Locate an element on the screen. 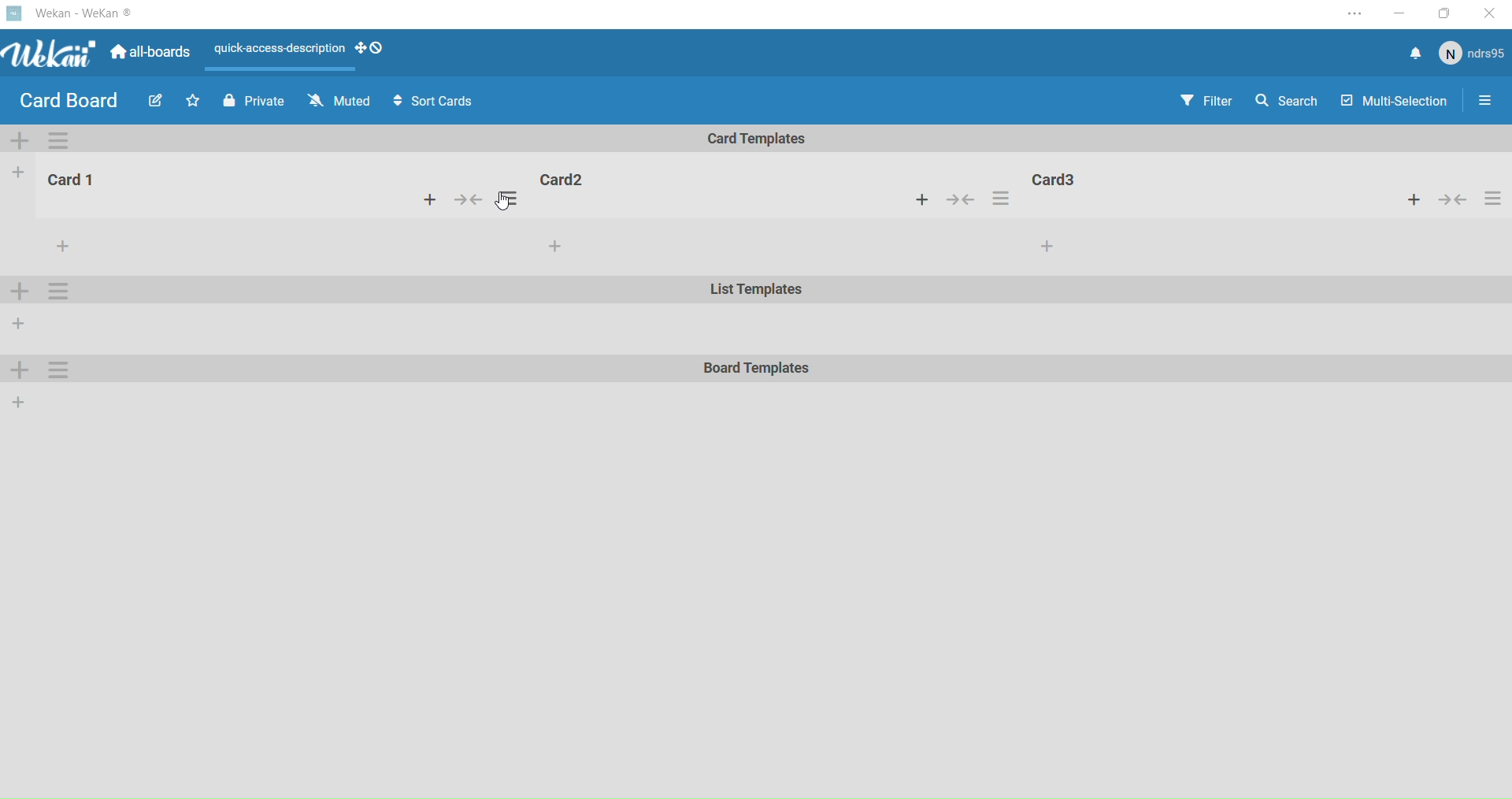  add is located at coordinates (19, 290).